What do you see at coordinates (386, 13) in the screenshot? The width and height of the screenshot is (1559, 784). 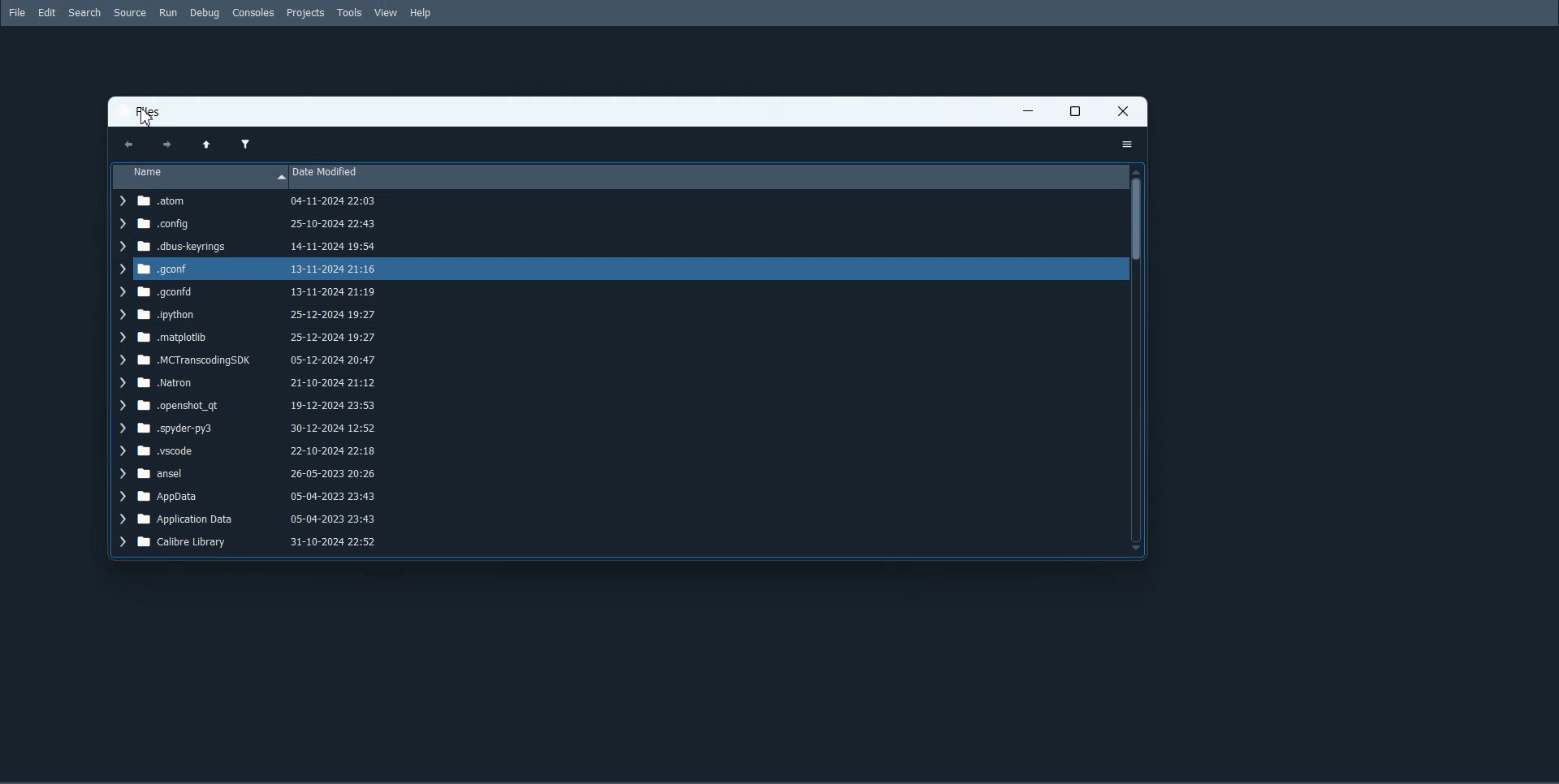 I see `View` at bounding box center [386, 13].